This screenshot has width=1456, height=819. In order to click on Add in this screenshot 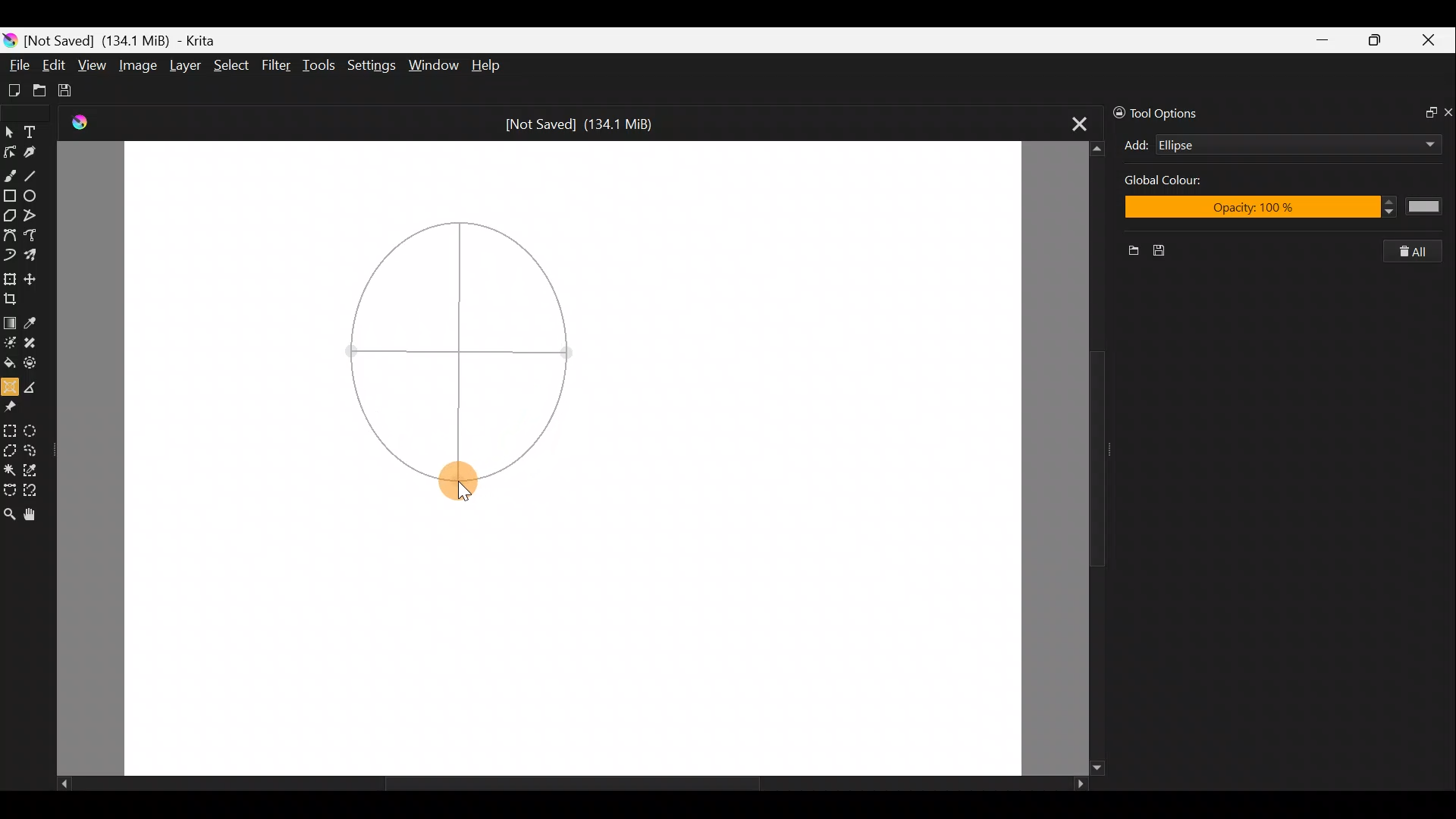, I will do `click(1136, 145)`.